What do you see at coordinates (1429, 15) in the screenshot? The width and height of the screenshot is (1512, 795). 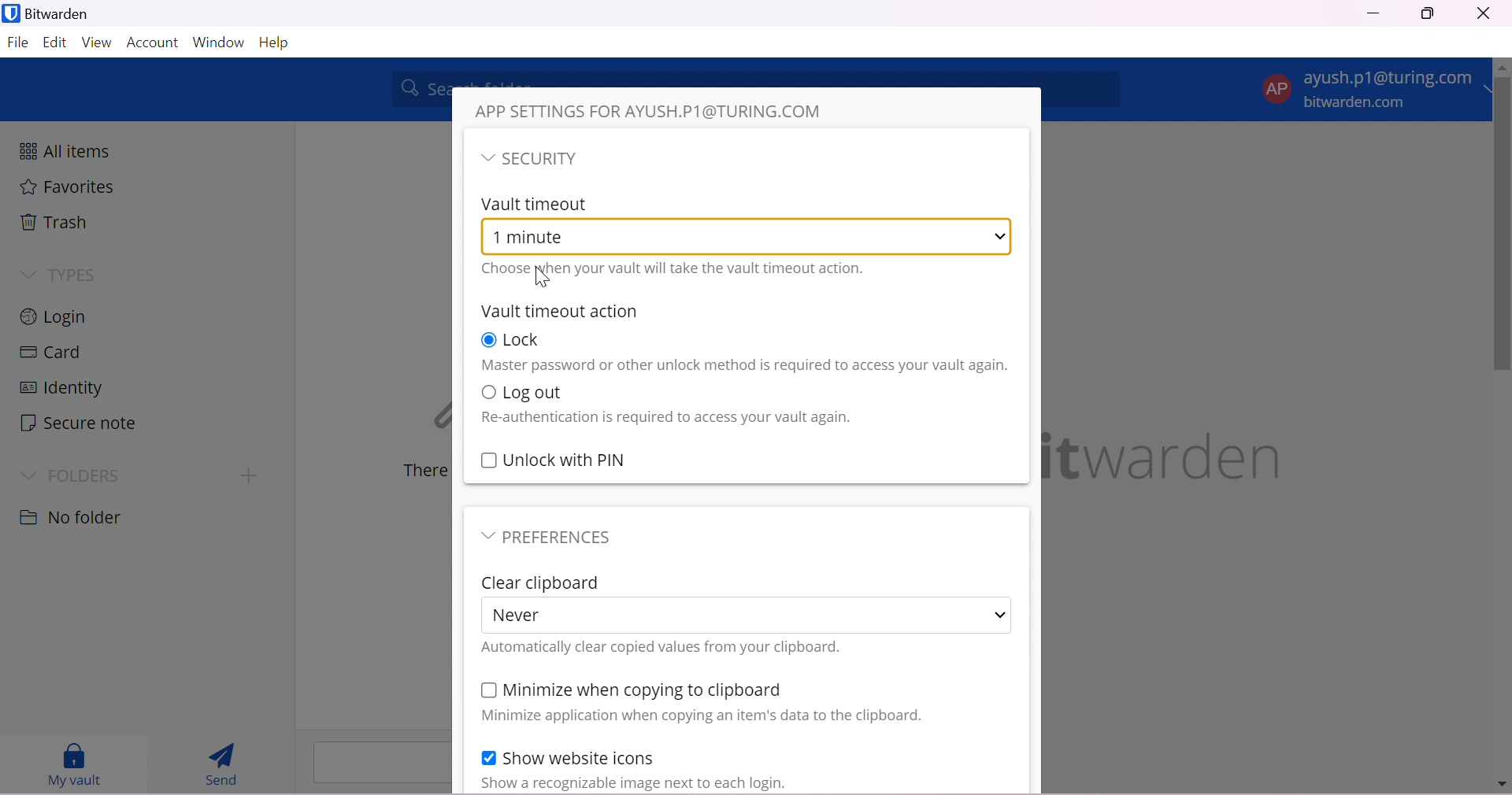 I see `Restore Down` at bounding box center [1429, 15].